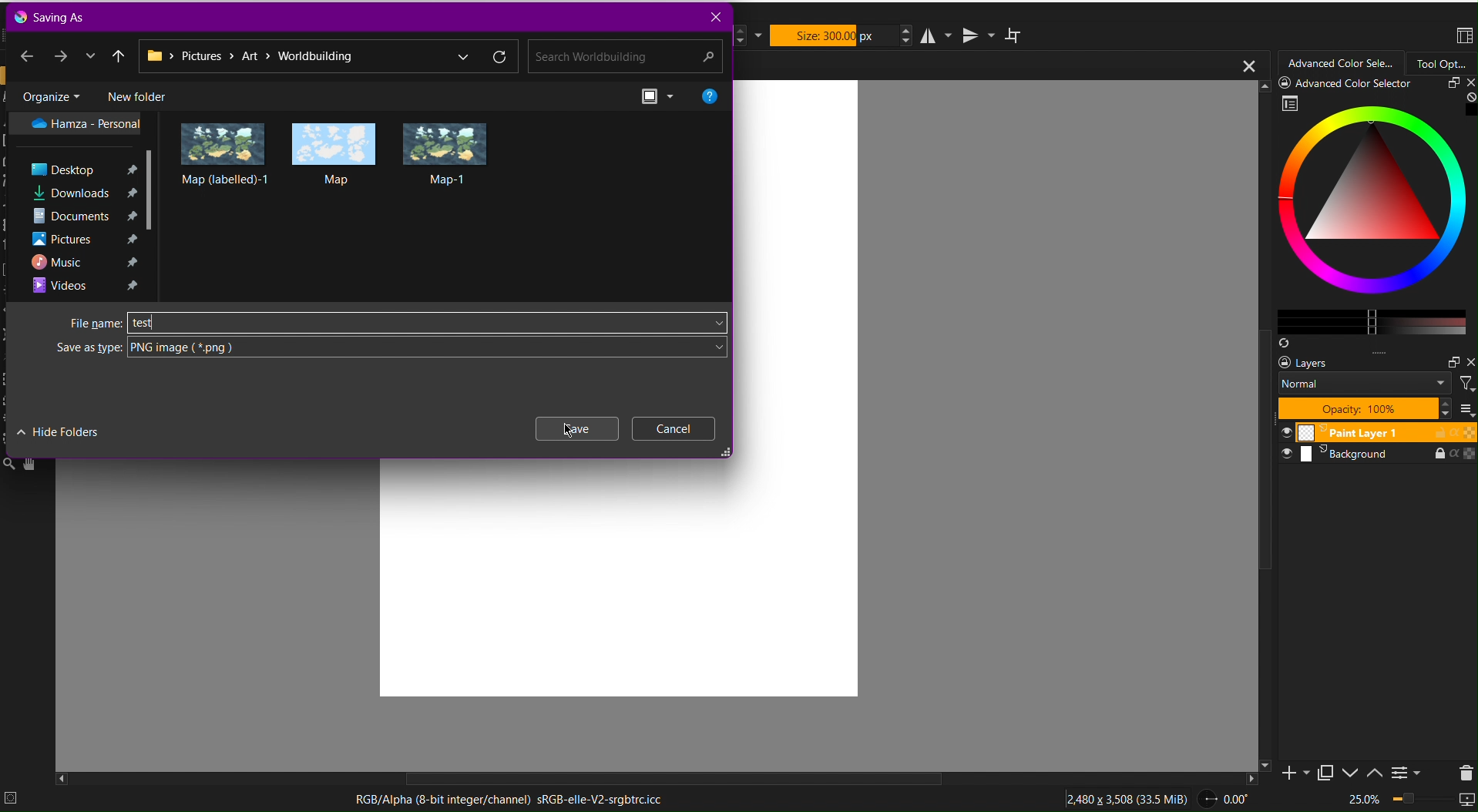  I want to click on , so click(576, 429).